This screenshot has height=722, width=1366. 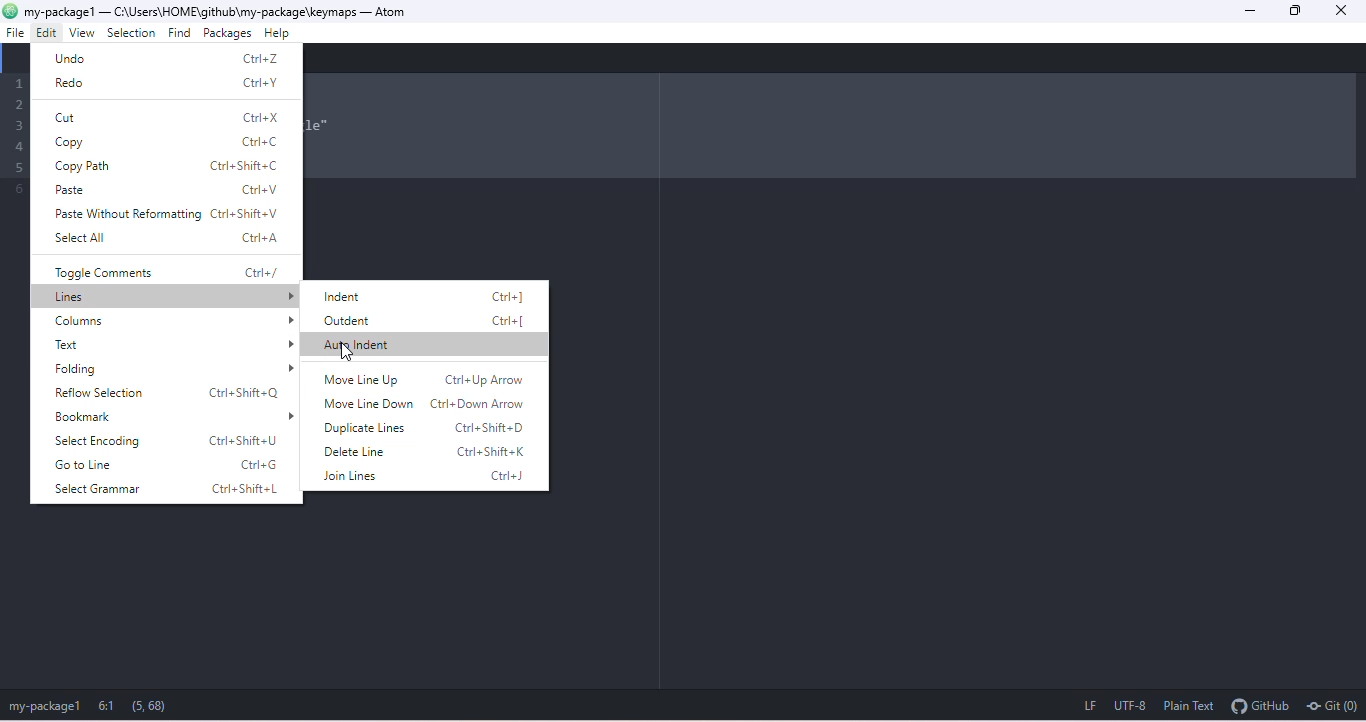 I want to click on close, so click(x=1348, y=12).